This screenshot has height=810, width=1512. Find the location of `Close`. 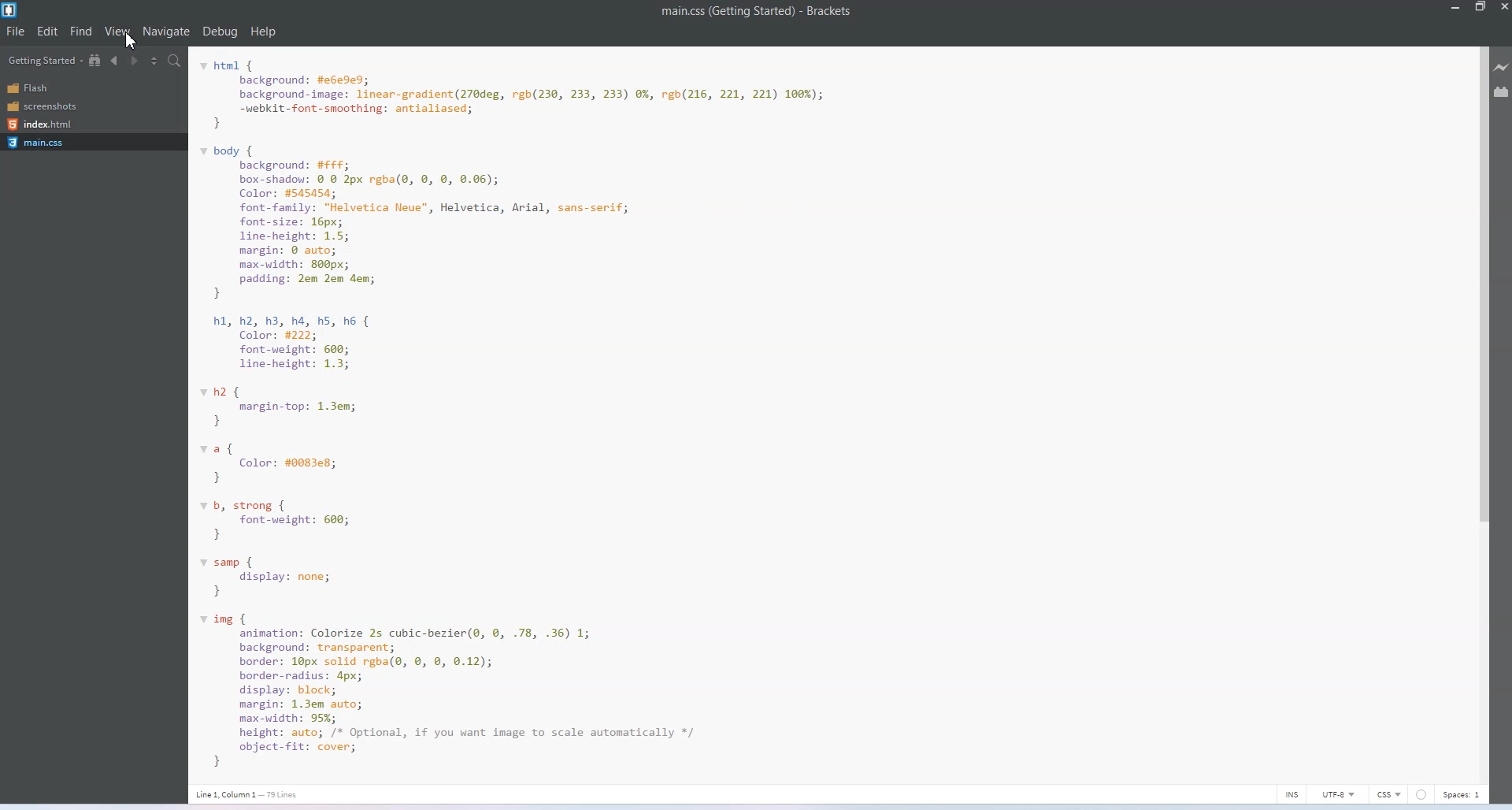

Close is located at coordinates (1503, 7).